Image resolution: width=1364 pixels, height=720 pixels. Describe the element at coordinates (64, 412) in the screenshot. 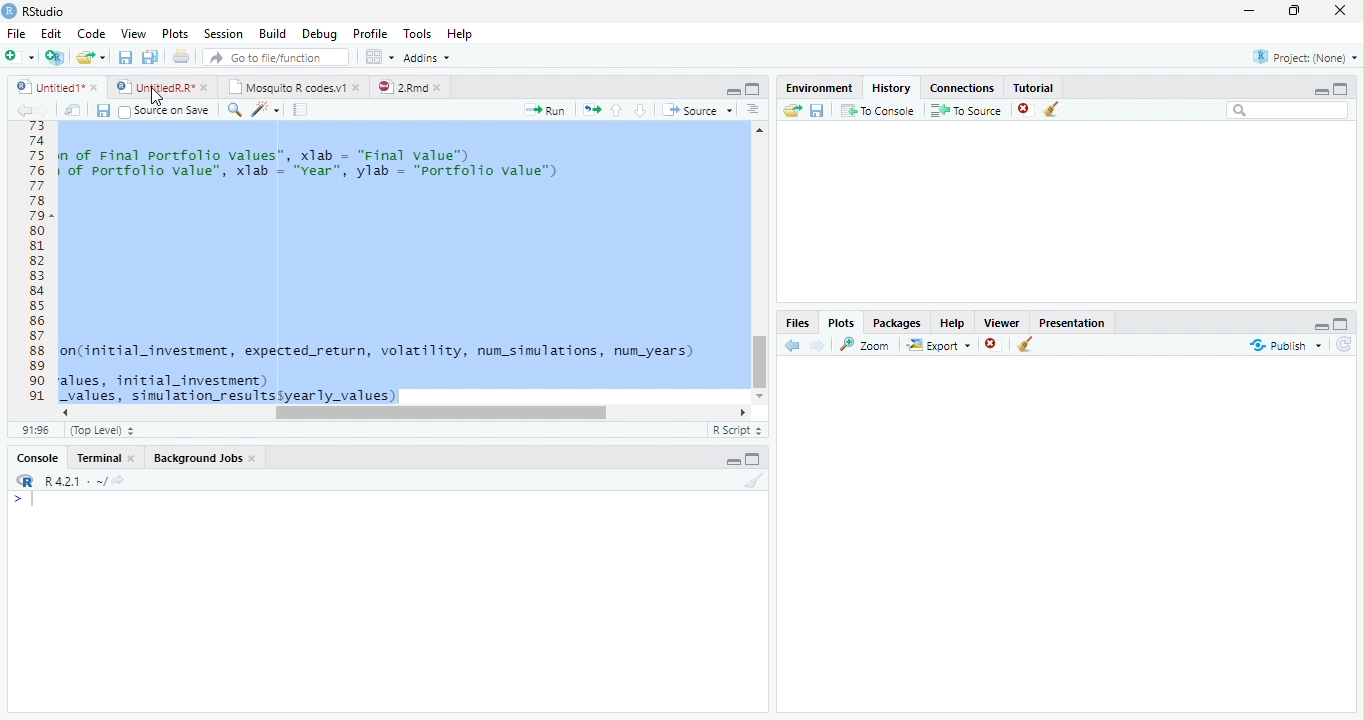

I see `Scroll Left` at that location.